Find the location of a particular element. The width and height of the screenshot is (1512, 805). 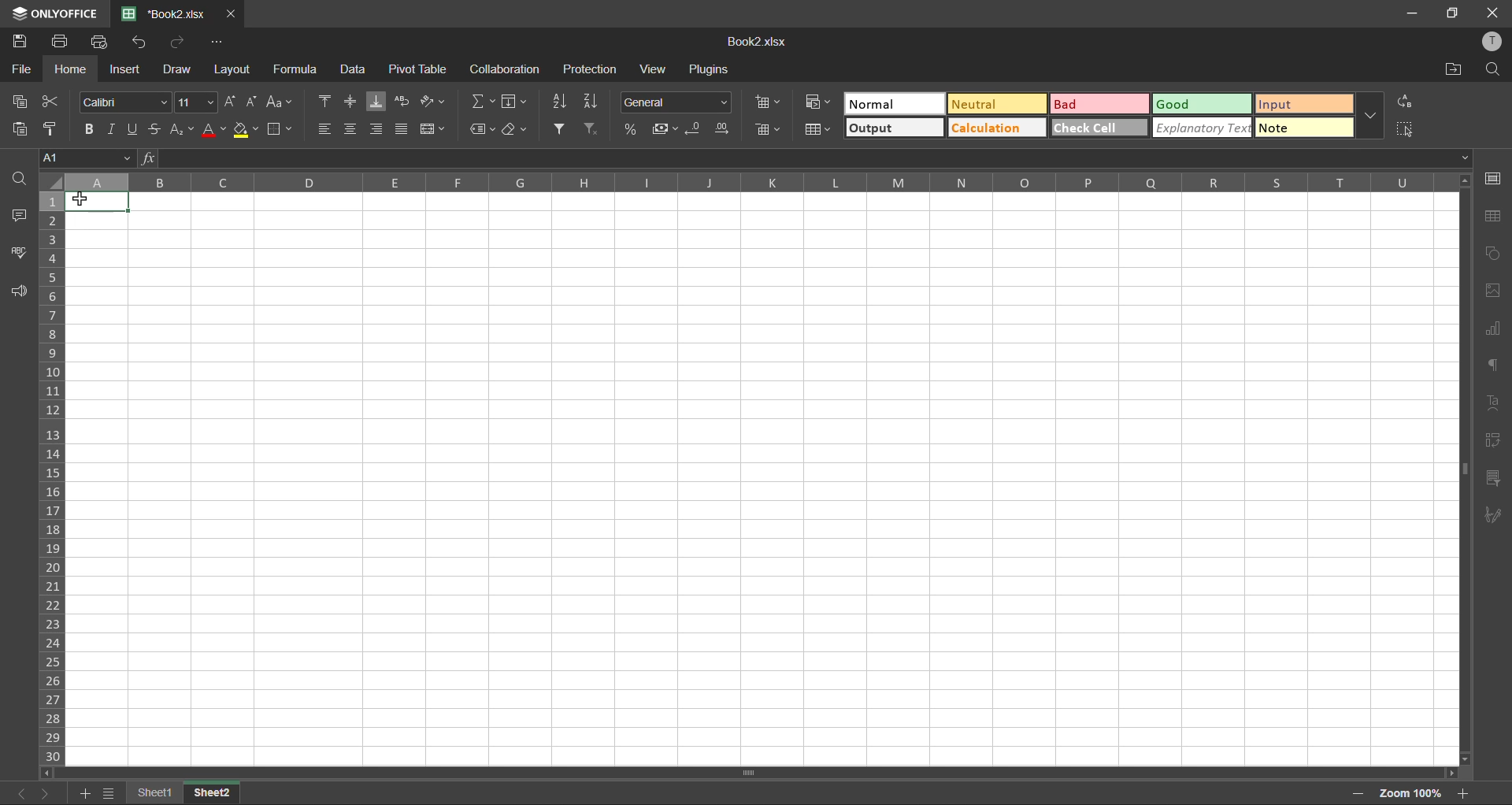

print is located at coordinates (63, 40).